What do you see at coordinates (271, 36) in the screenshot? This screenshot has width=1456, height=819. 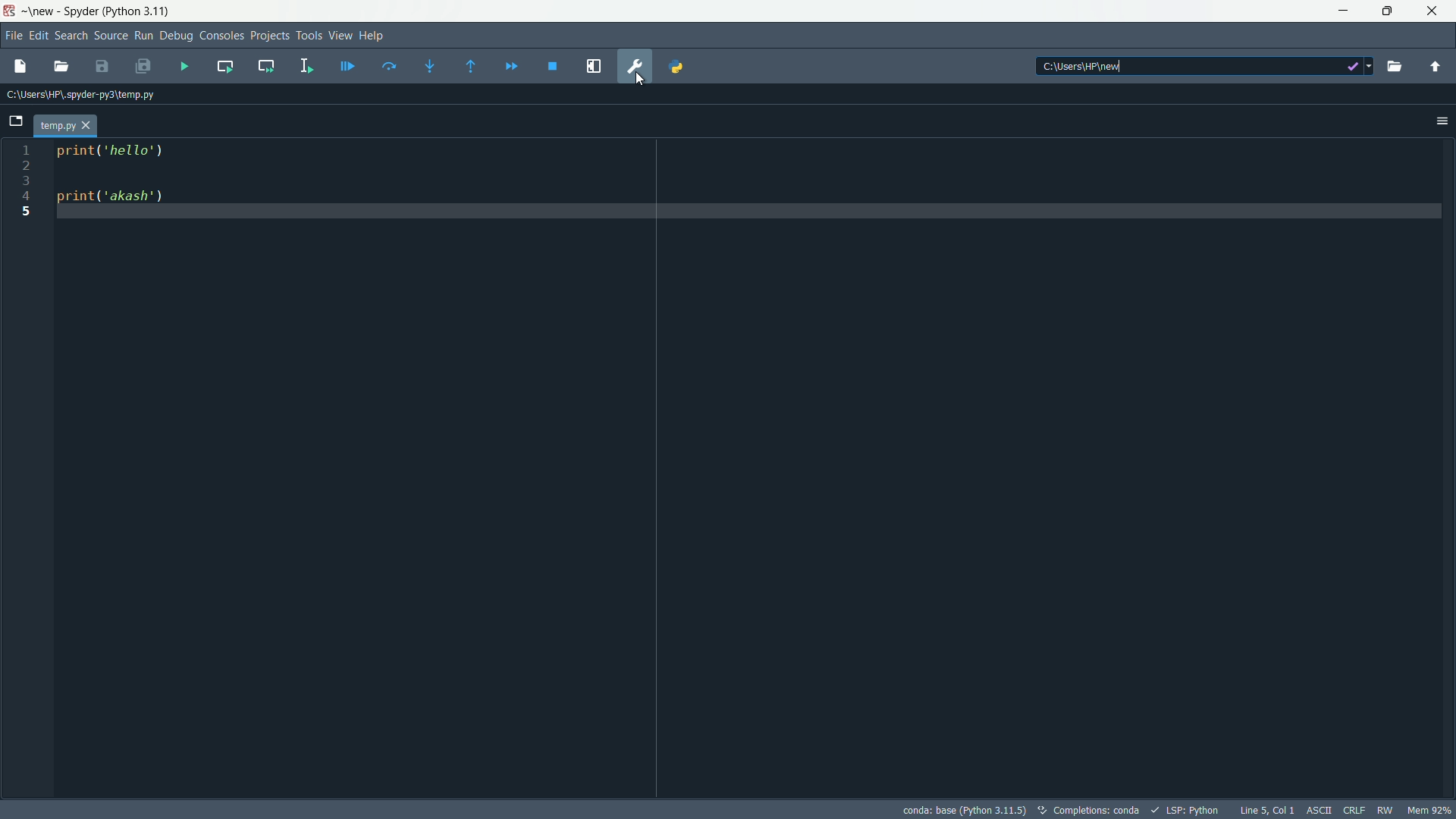 I see `projects menu` at bounding box center [271, 36].